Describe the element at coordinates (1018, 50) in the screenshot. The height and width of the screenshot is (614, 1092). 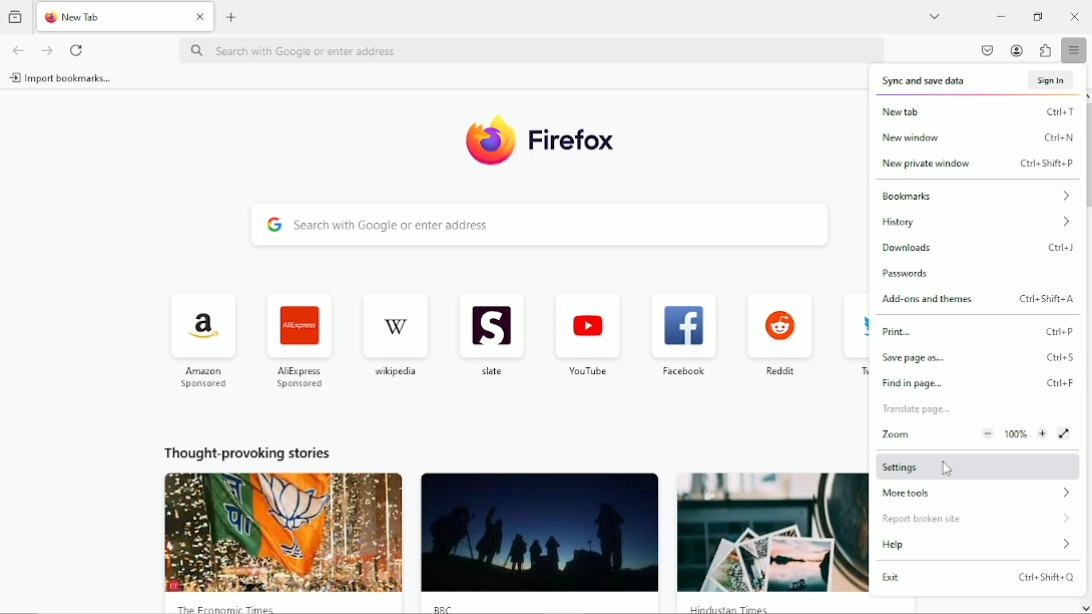
I see `account` at that location.